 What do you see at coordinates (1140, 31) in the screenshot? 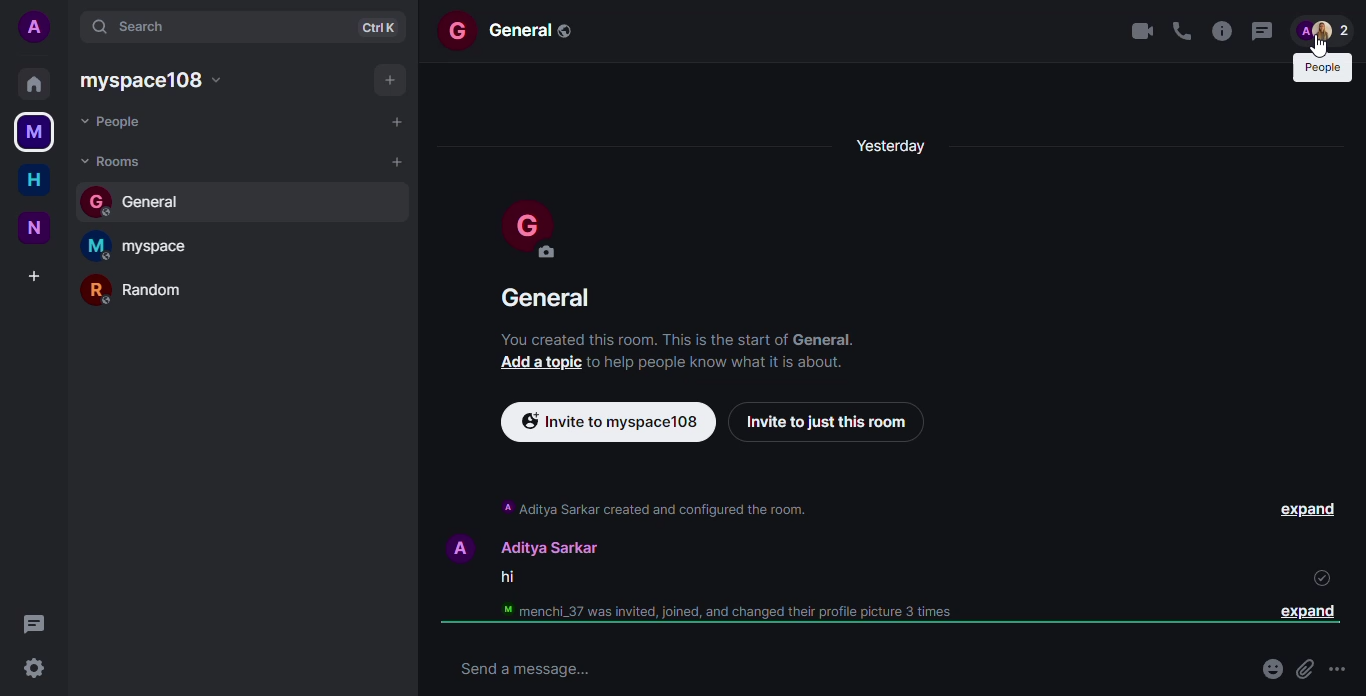
I see `video call` at bounding box center [1140, 31].